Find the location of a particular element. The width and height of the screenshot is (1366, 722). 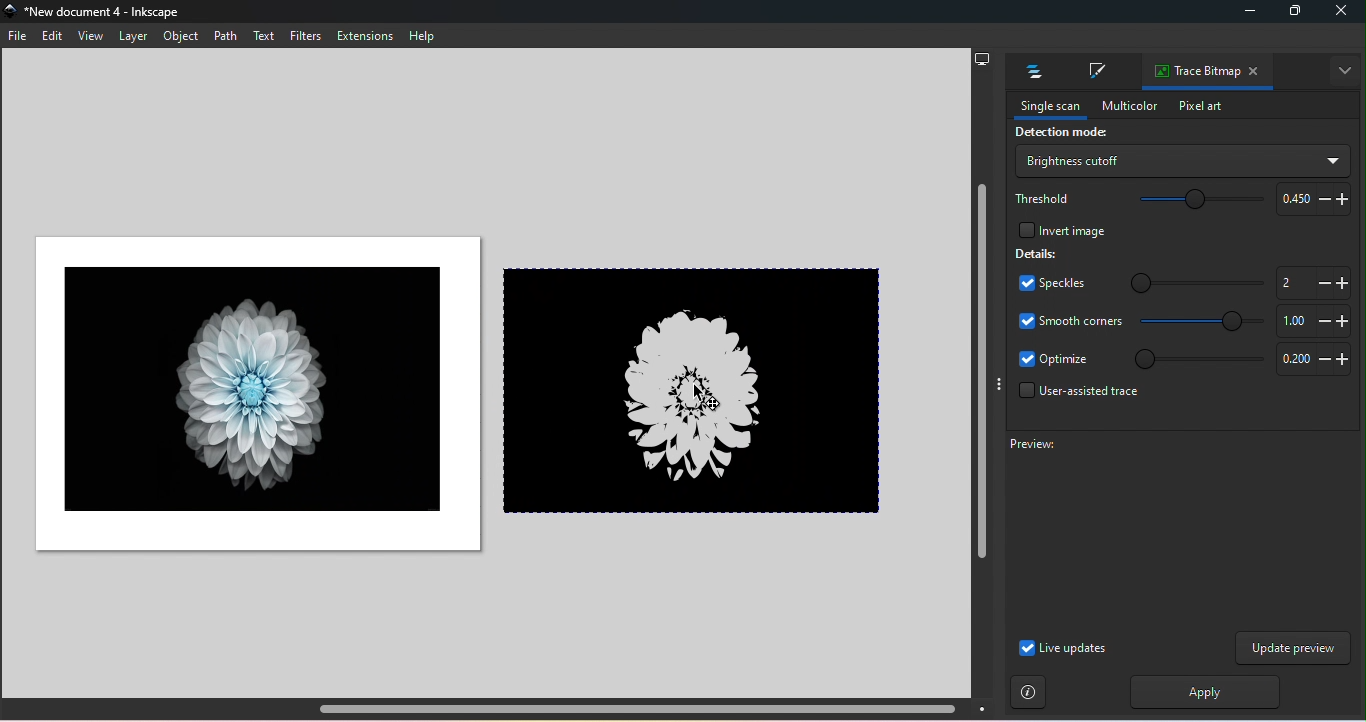

Increase or decrease smooth corners is located at coordinates (1311, 321).